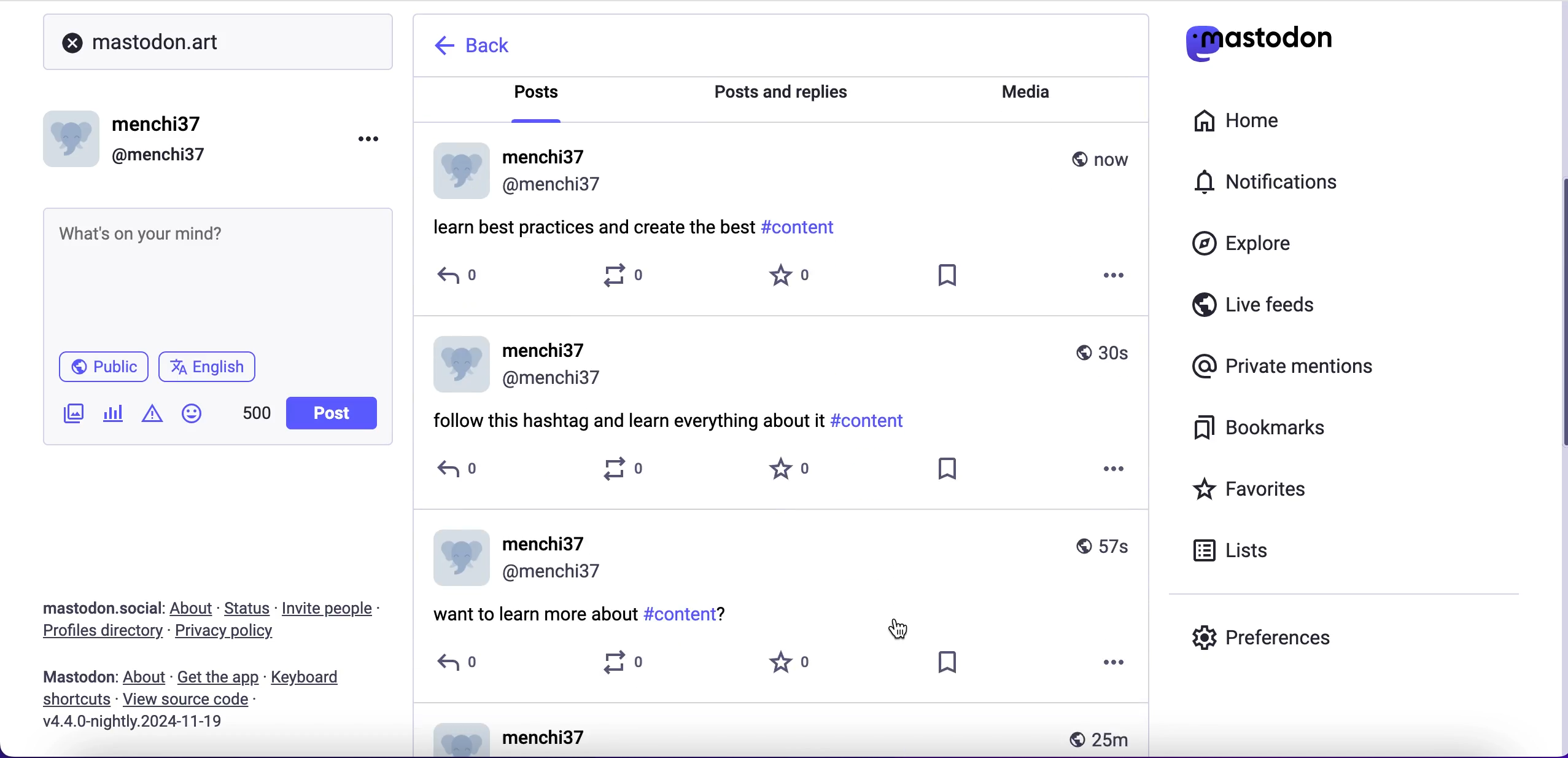  I want to click on 0 boosts, so click(631, 472).